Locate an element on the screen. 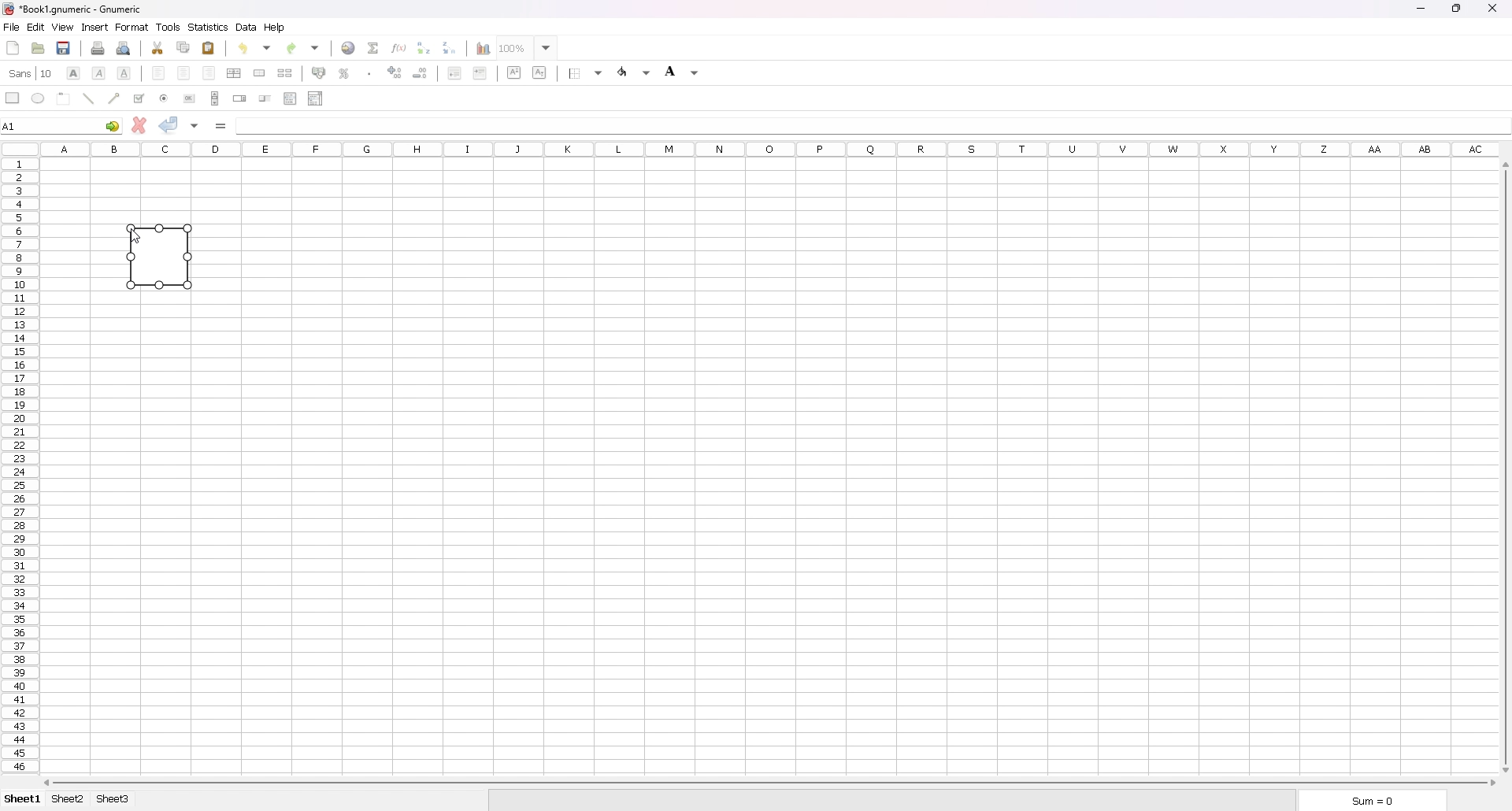 The height and width of the screenshot is (811, 1512). acounting is located at coordinates (319, 72).